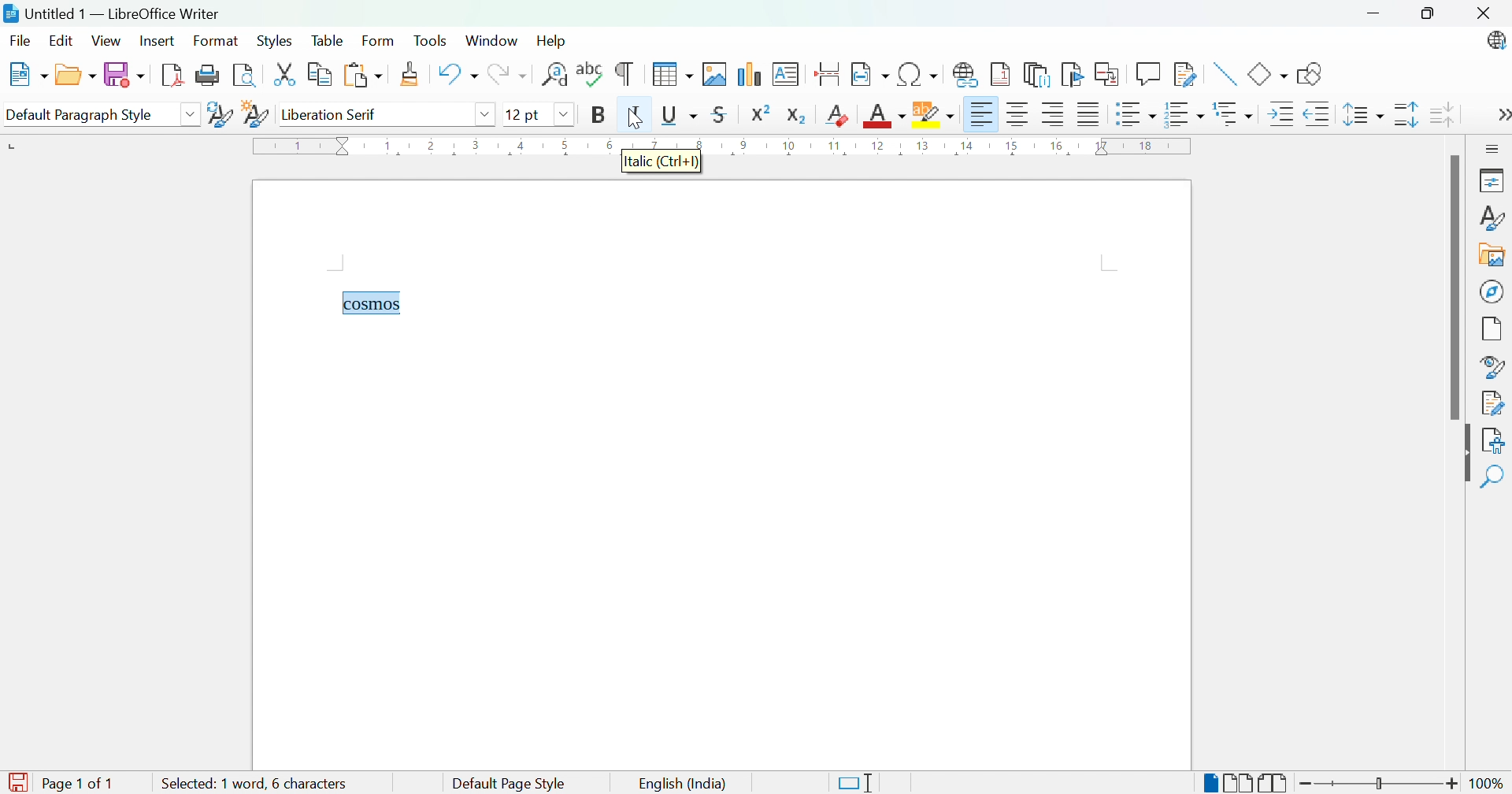 The width and height of the screenshot is (1512, 794). What do you see at coordinates (1240, 783) in the screenshot?
I see `Multiple-page view` at bounding box center [1240, 783].